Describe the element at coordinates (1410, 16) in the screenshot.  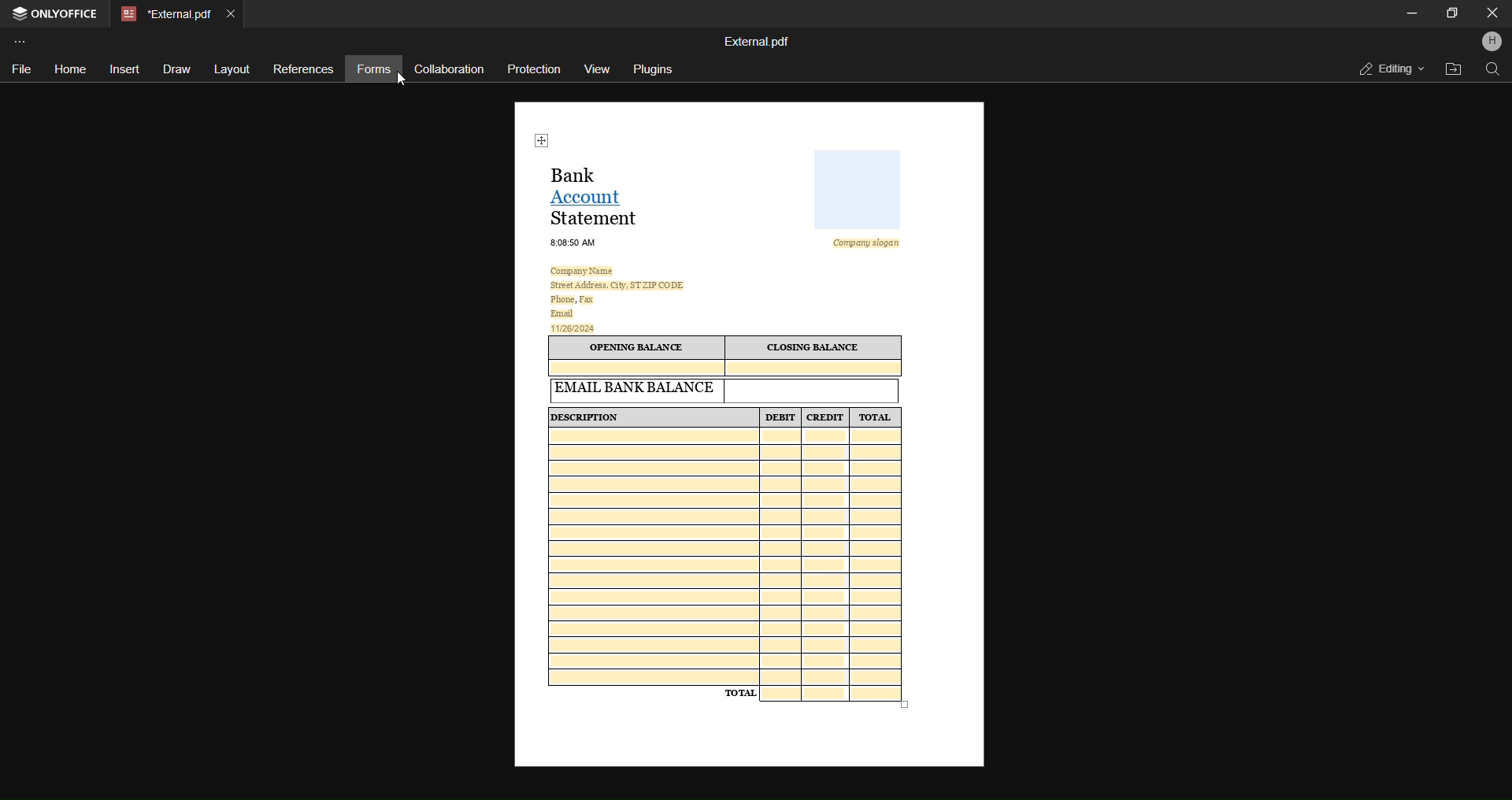
I see `minimize` at that location.